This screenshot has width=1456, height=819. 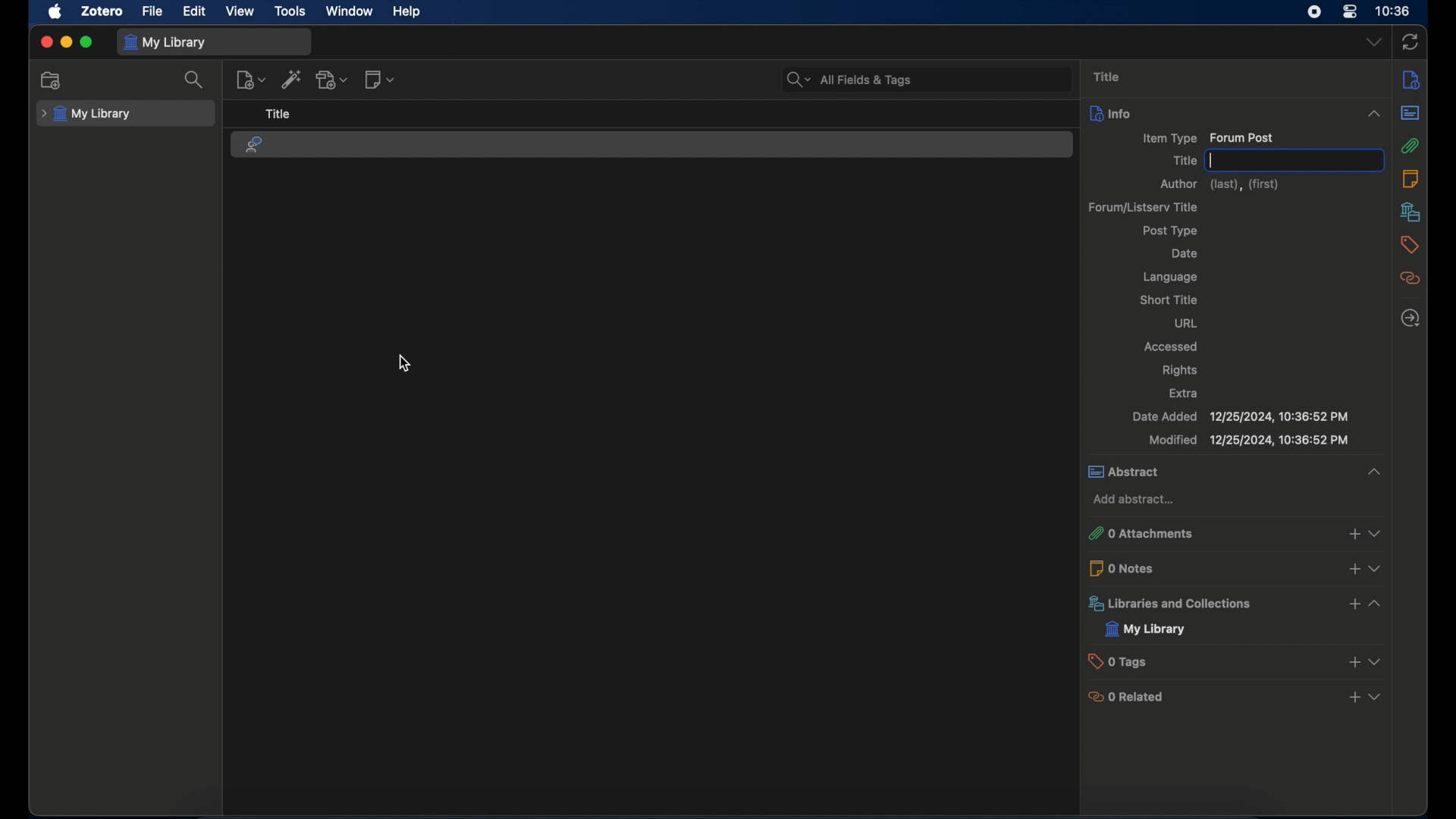 I want to click on new collection, so click(x=51, y=80).